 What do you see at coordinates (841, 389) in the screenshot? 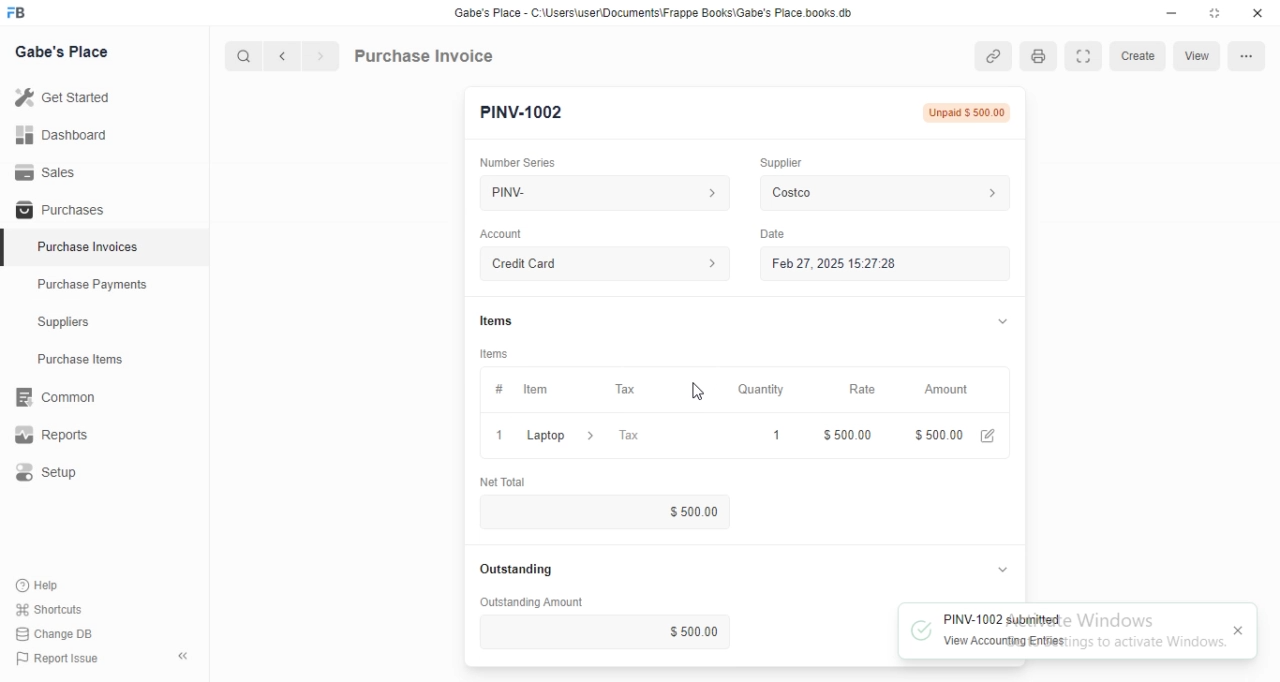
I see `Rate` at bounding box center [841, 389].